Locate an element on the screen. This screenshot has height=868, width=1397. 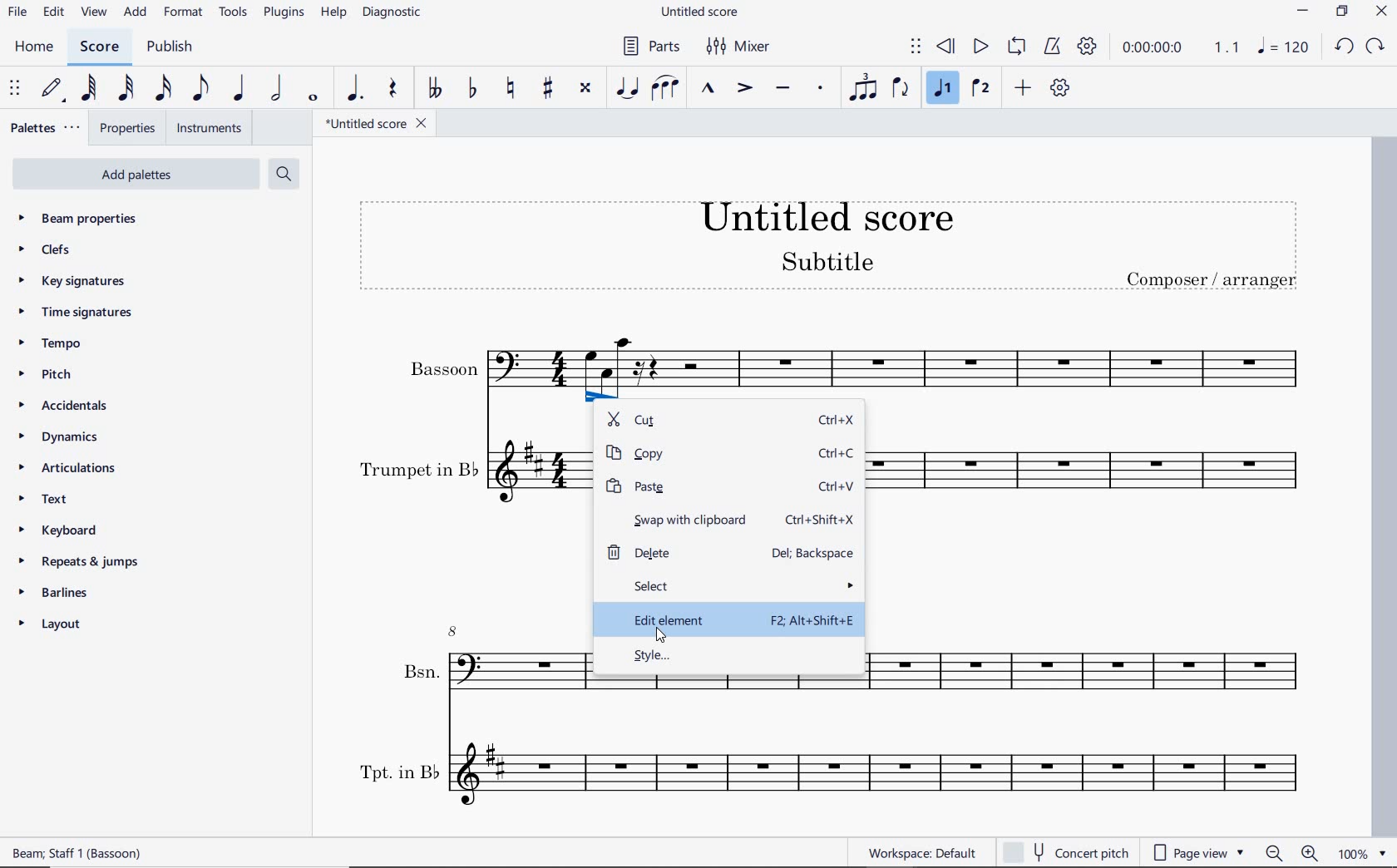
instruments is located at coordinates (210, 128).